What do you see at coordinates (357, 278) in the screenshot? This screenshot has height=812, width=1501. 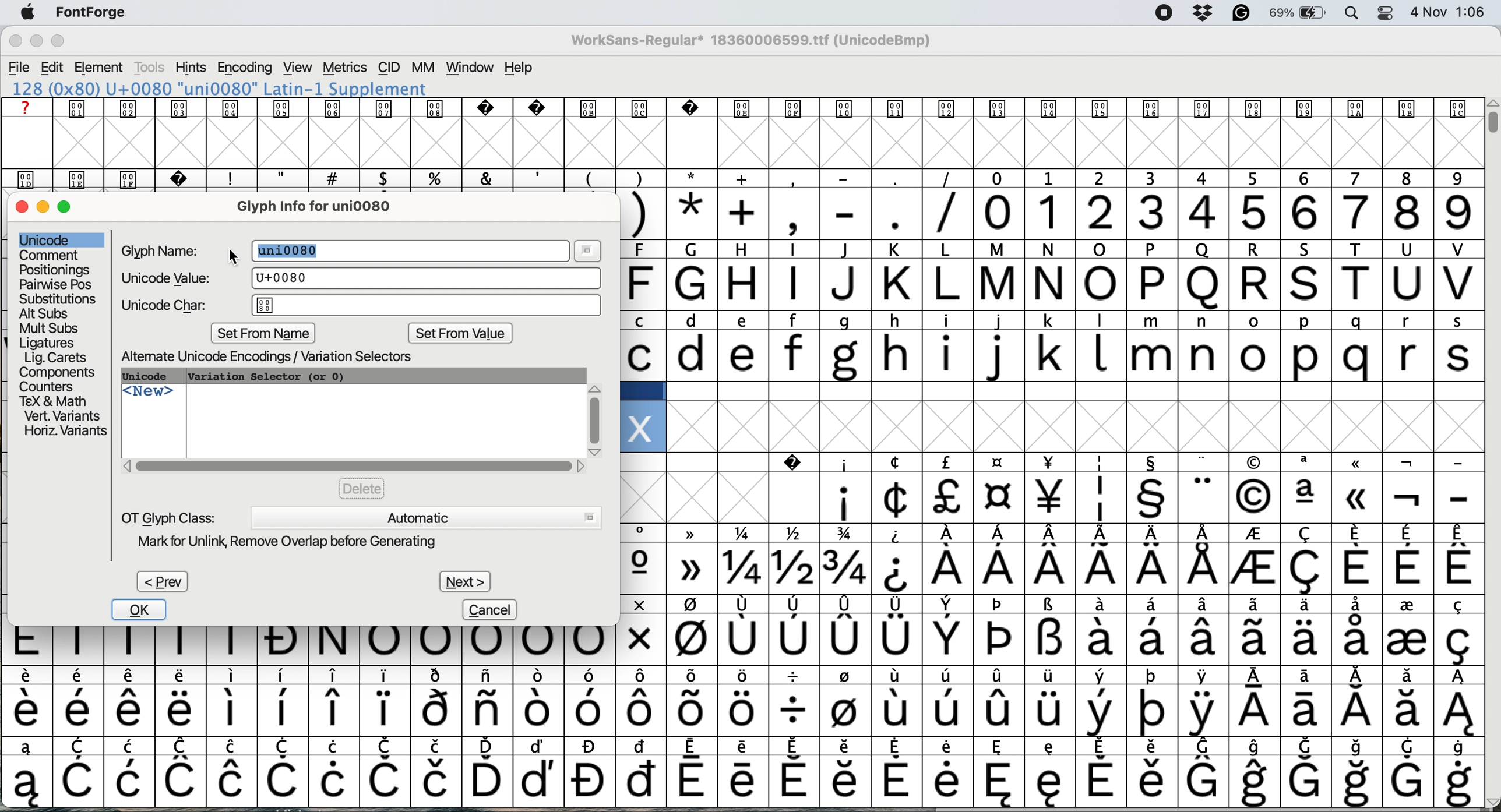 I see `unicode value` at bounding box center [357, 278].